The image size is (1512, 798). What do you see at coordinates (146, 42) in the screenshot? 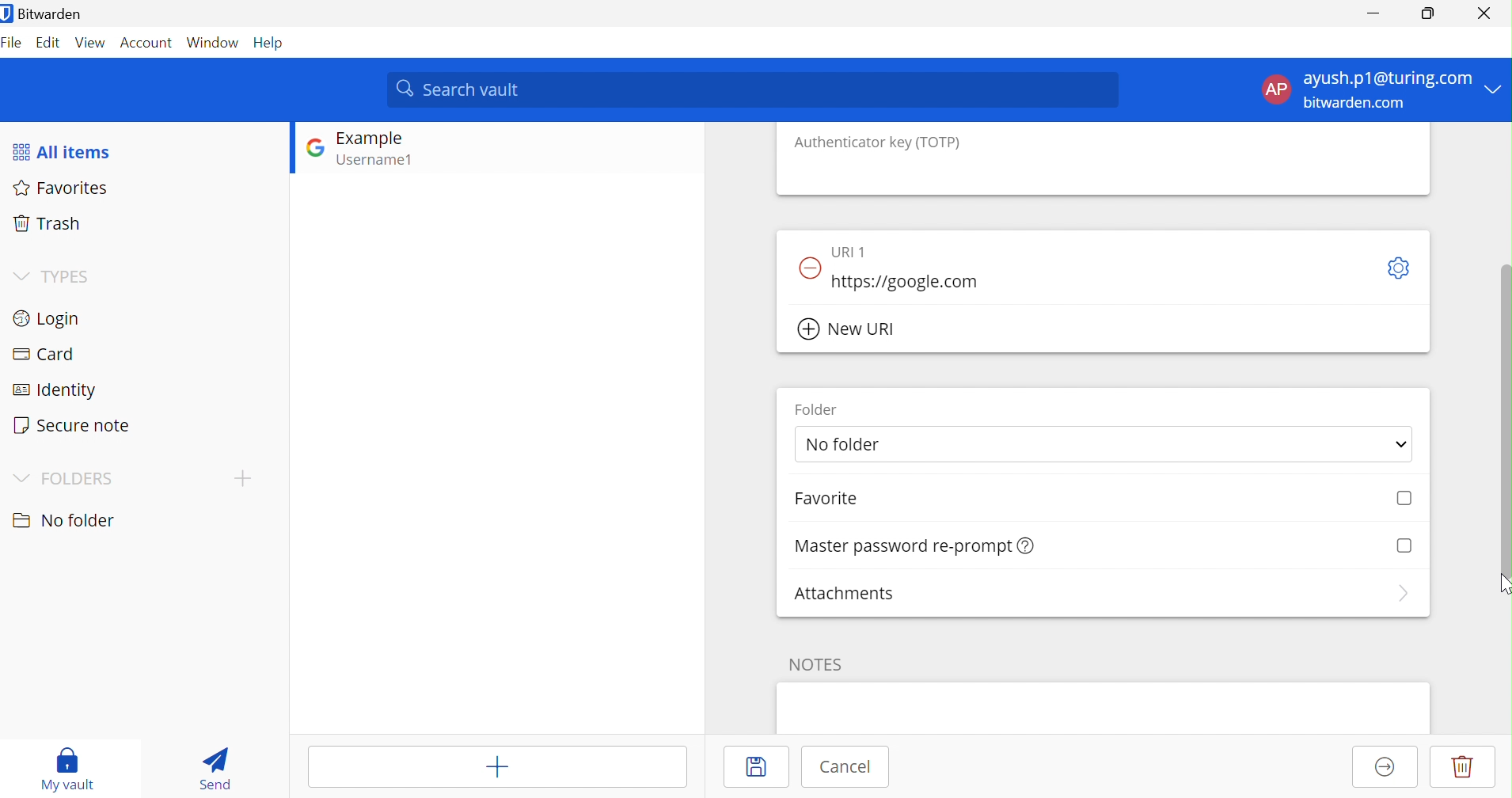
I see `Account` at bounding box center [146, 42].